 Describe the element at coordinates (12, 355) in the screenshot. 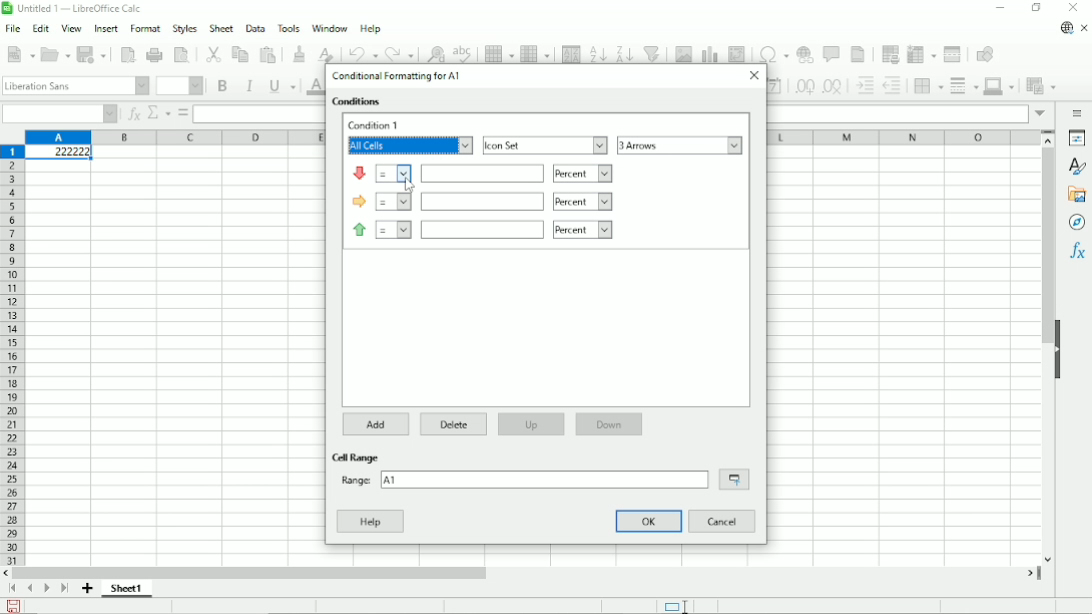

I see `Row headings` at that location.